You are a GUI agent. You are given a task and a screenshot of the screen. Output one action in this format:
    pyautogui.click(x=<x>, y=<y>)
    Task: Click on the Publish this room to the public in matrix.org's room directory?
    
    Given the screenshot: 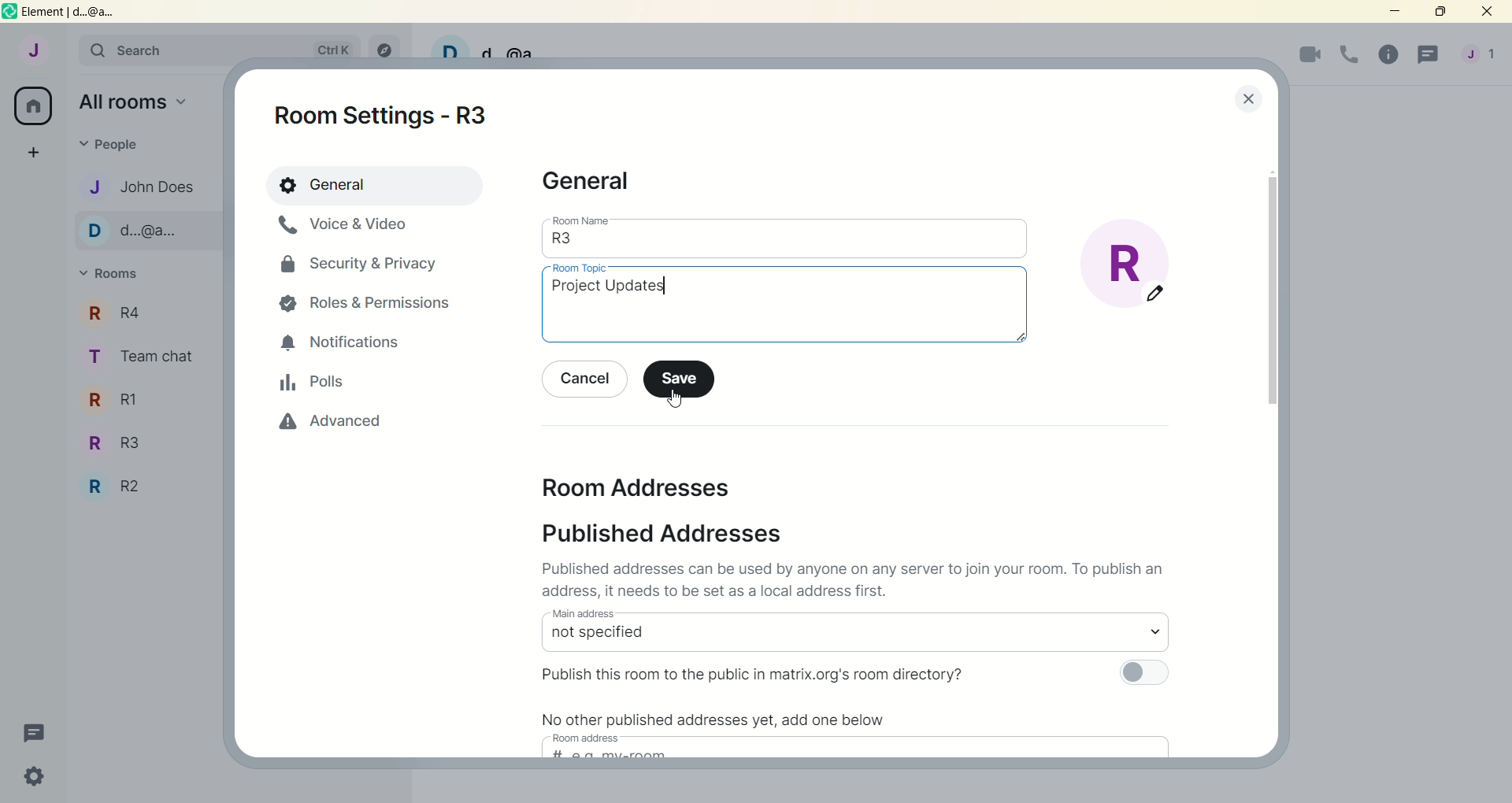 What is the action you would take?
    pyautogui.click(x=754, y=675)
    